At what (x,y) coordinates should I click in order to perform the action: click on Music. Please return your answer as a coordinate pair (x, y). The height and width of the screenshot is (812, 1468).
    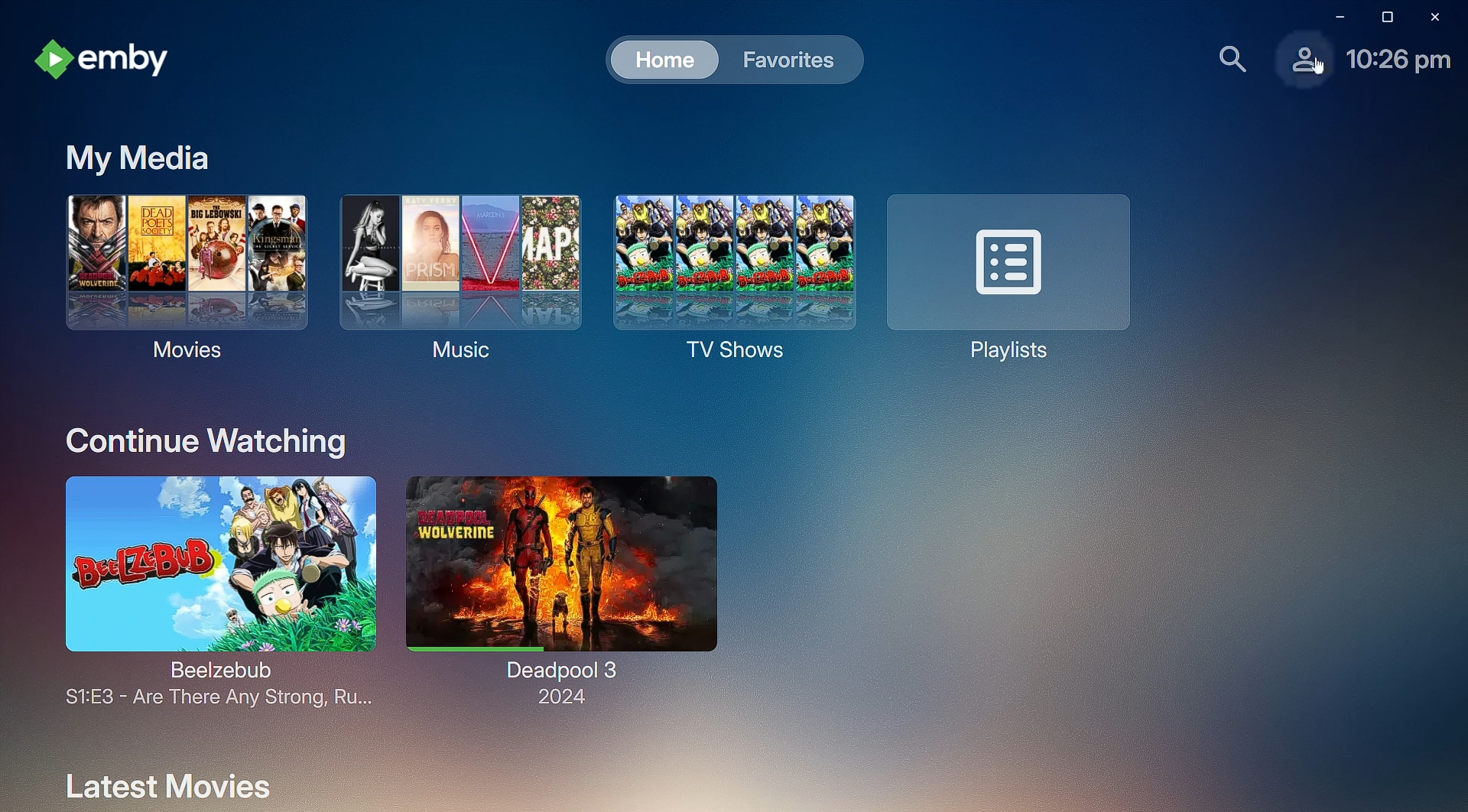
    Looking at the image, I should click on (451, 274).